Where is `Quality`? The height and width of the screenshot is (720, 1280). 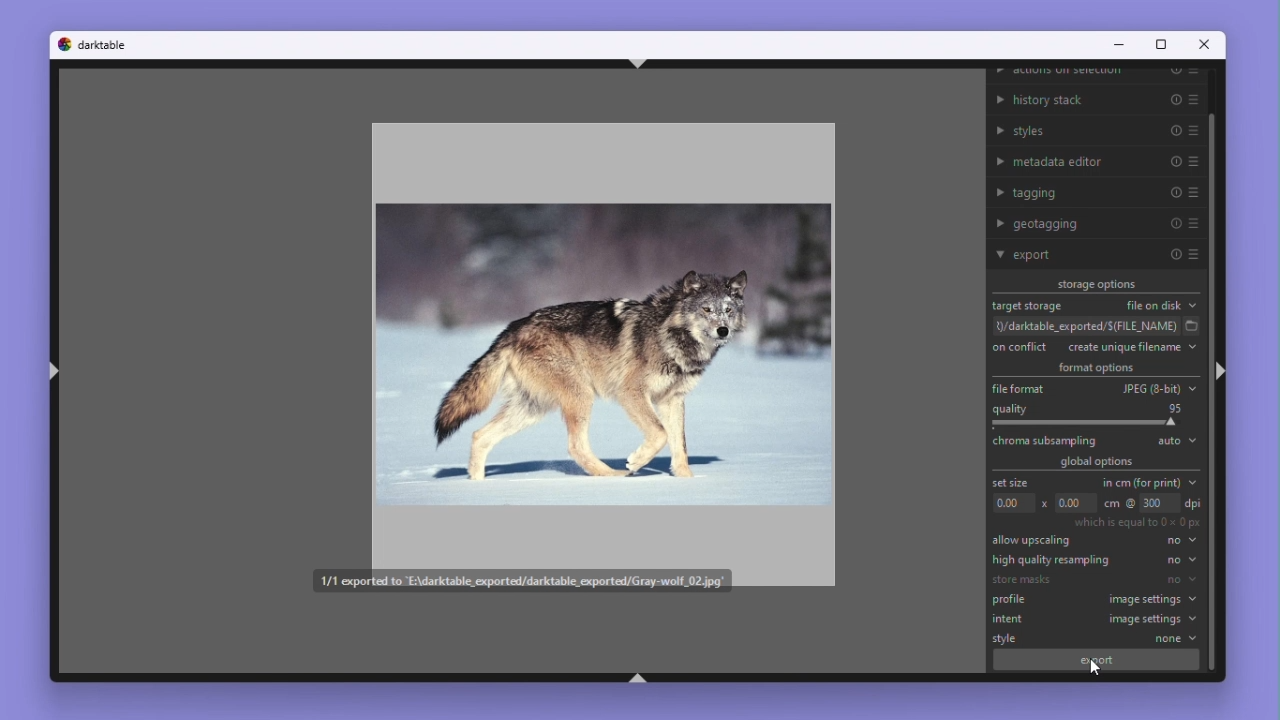
Quality is located at coordinates (1018, 410).